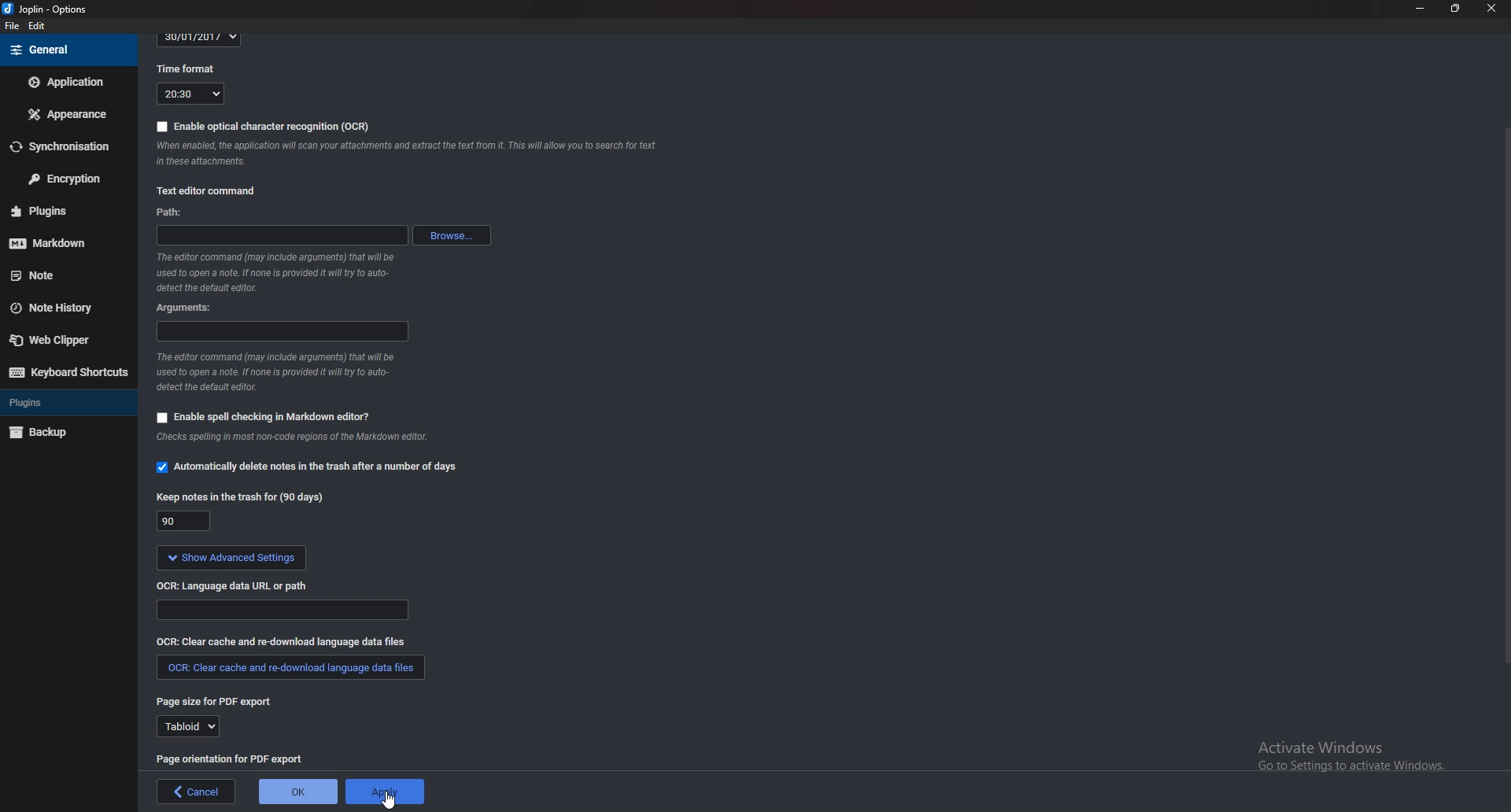 The image size is (1511, 812). I want to click on Note history, so click(59, 309).